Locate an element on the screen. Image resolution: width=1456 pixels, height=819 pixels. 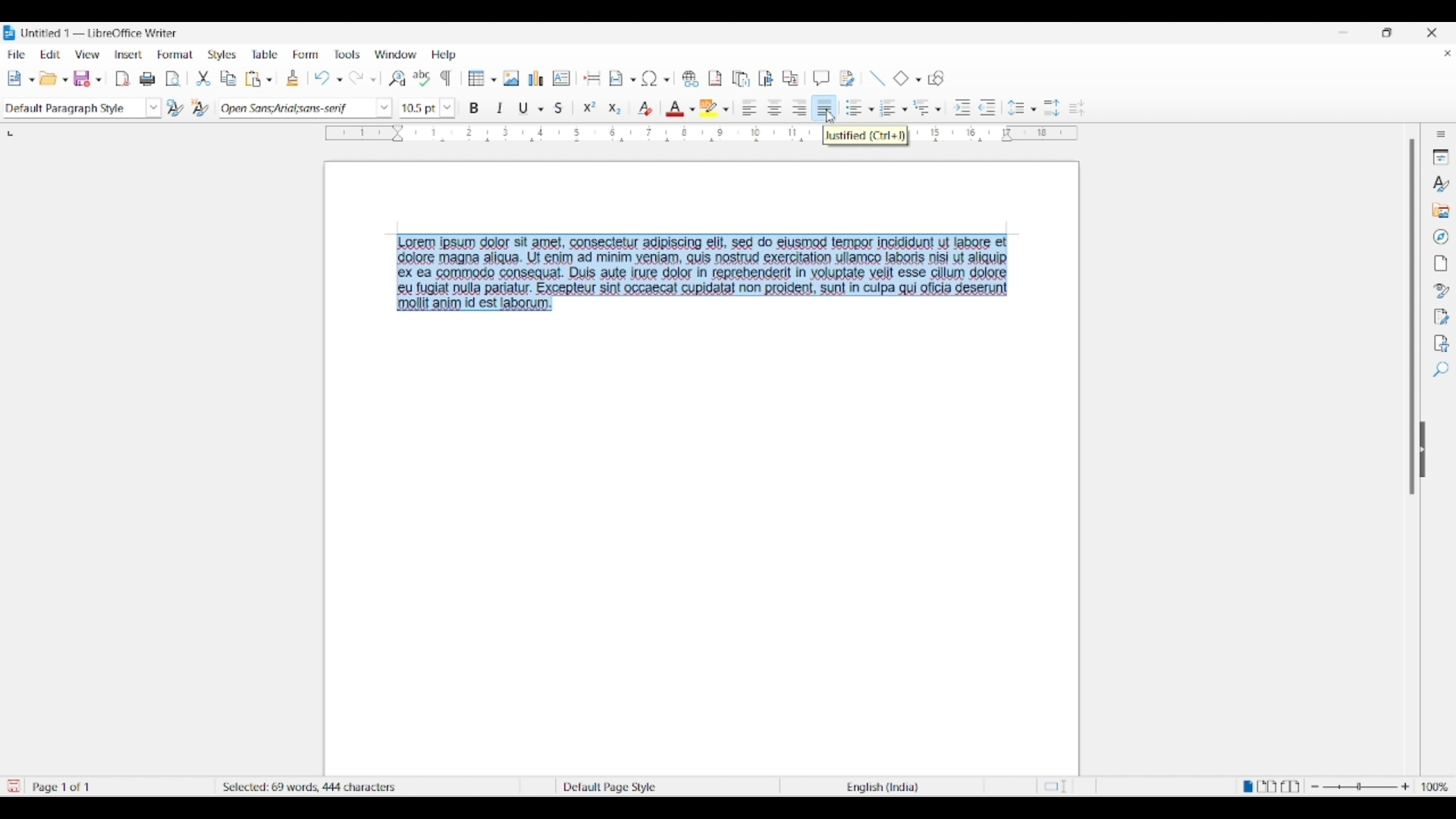
Insert endnote is located at coordinates (741, 78).